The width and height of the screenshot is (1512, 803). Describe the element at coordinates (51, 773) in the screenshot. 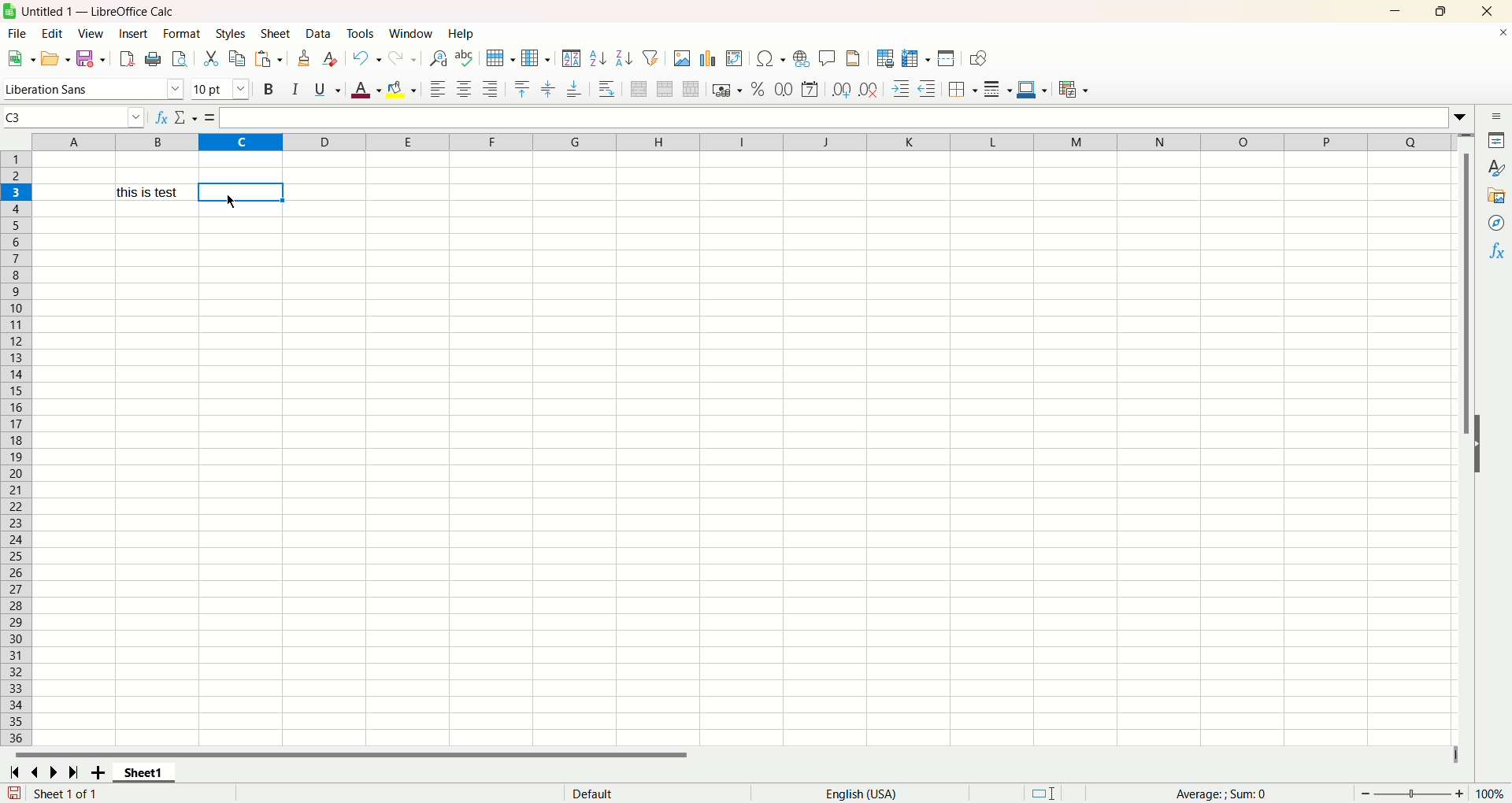

I see `next sheet` at that location.